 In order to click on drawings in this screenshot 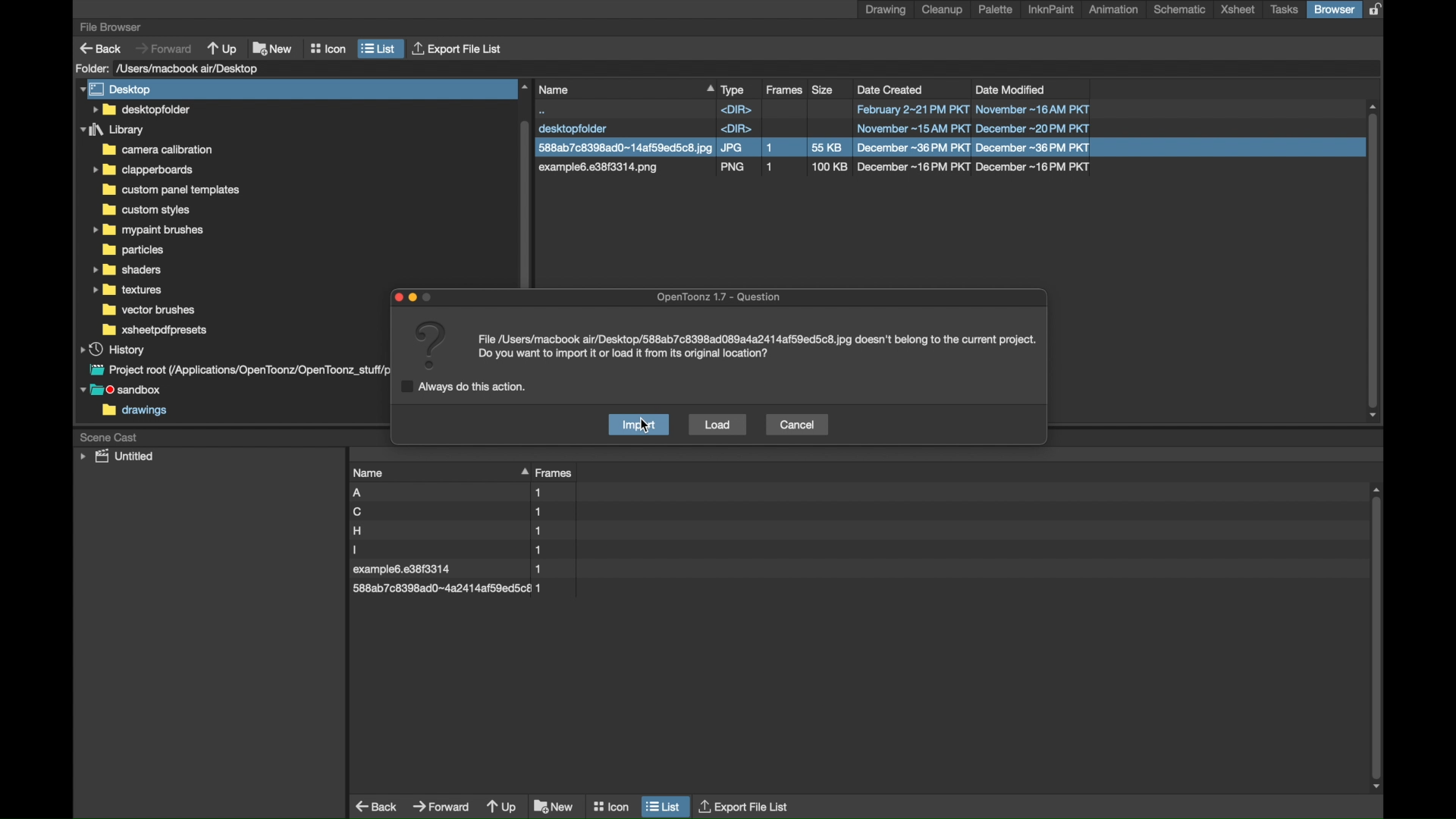, I will do `click(135, 412)`.